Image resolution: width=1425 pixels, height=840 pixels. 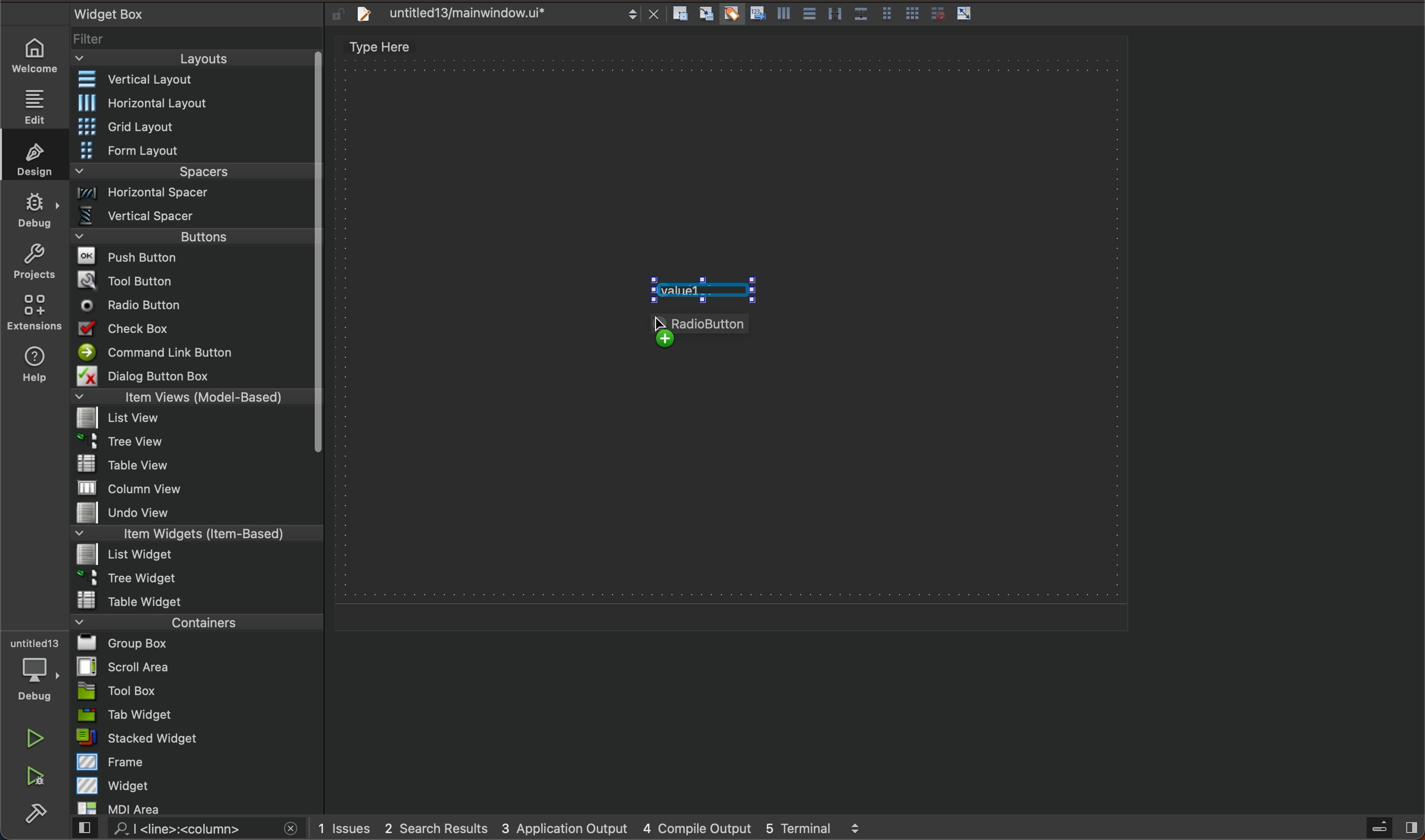 I want to click on start typing, so click(x=701, y=290).